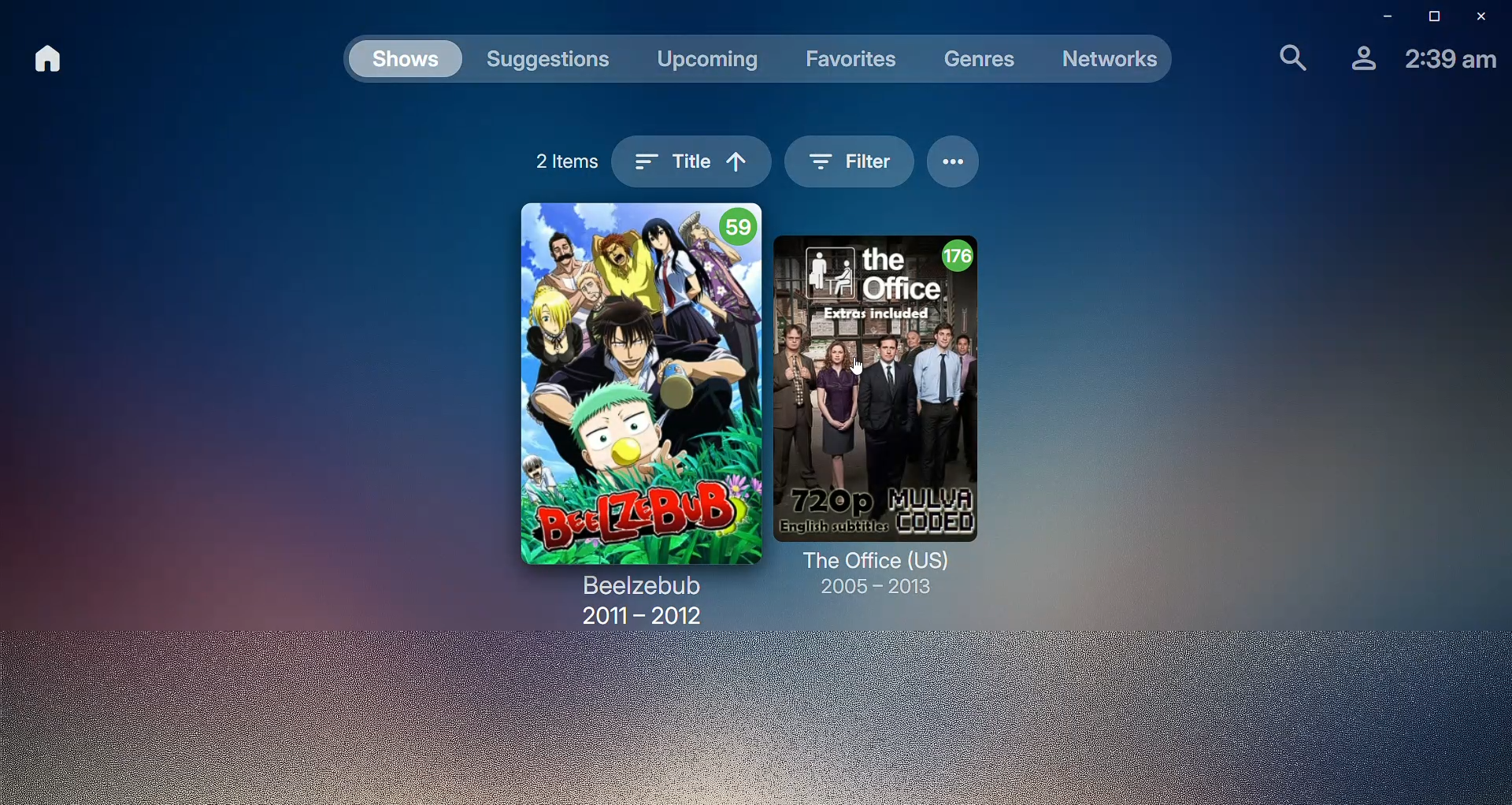 The image size is (1512, 805). Describe the element at coordinates (1474, 17) in the screenshot. I see `Close` at that location.